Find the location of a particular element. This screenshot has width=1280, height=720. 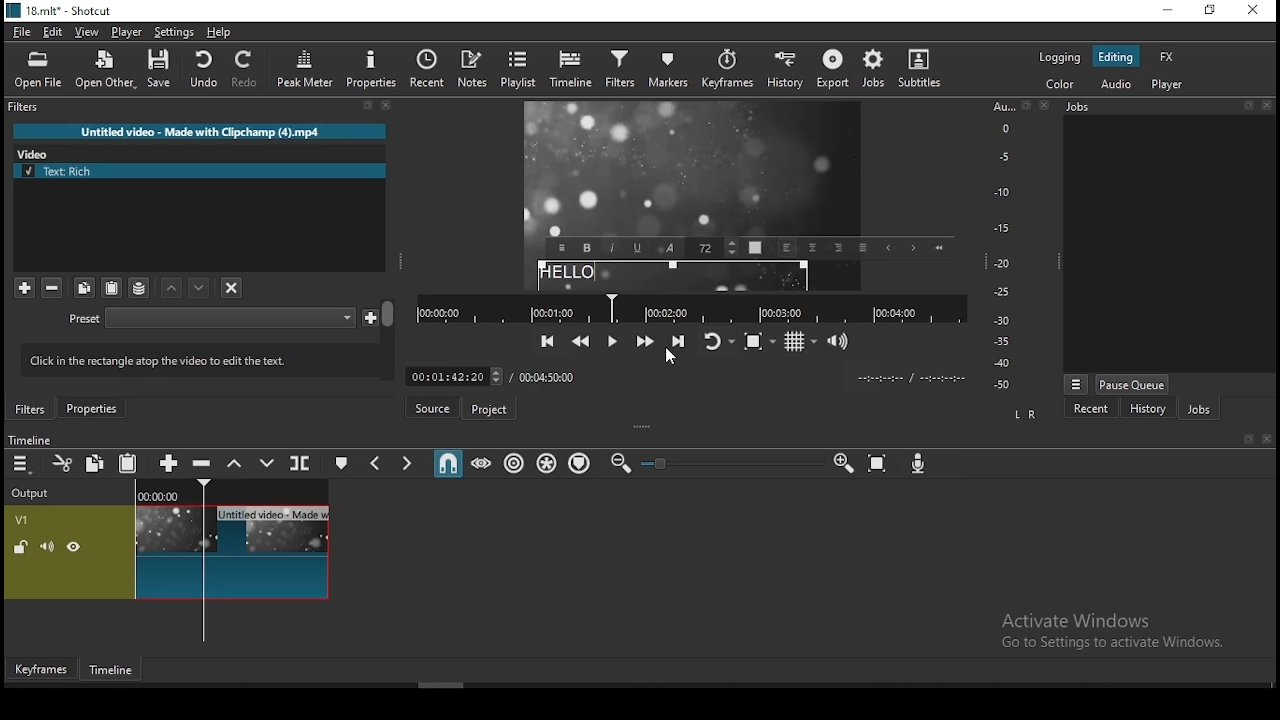

play quickly forwards is located at coordinates (647, 340).